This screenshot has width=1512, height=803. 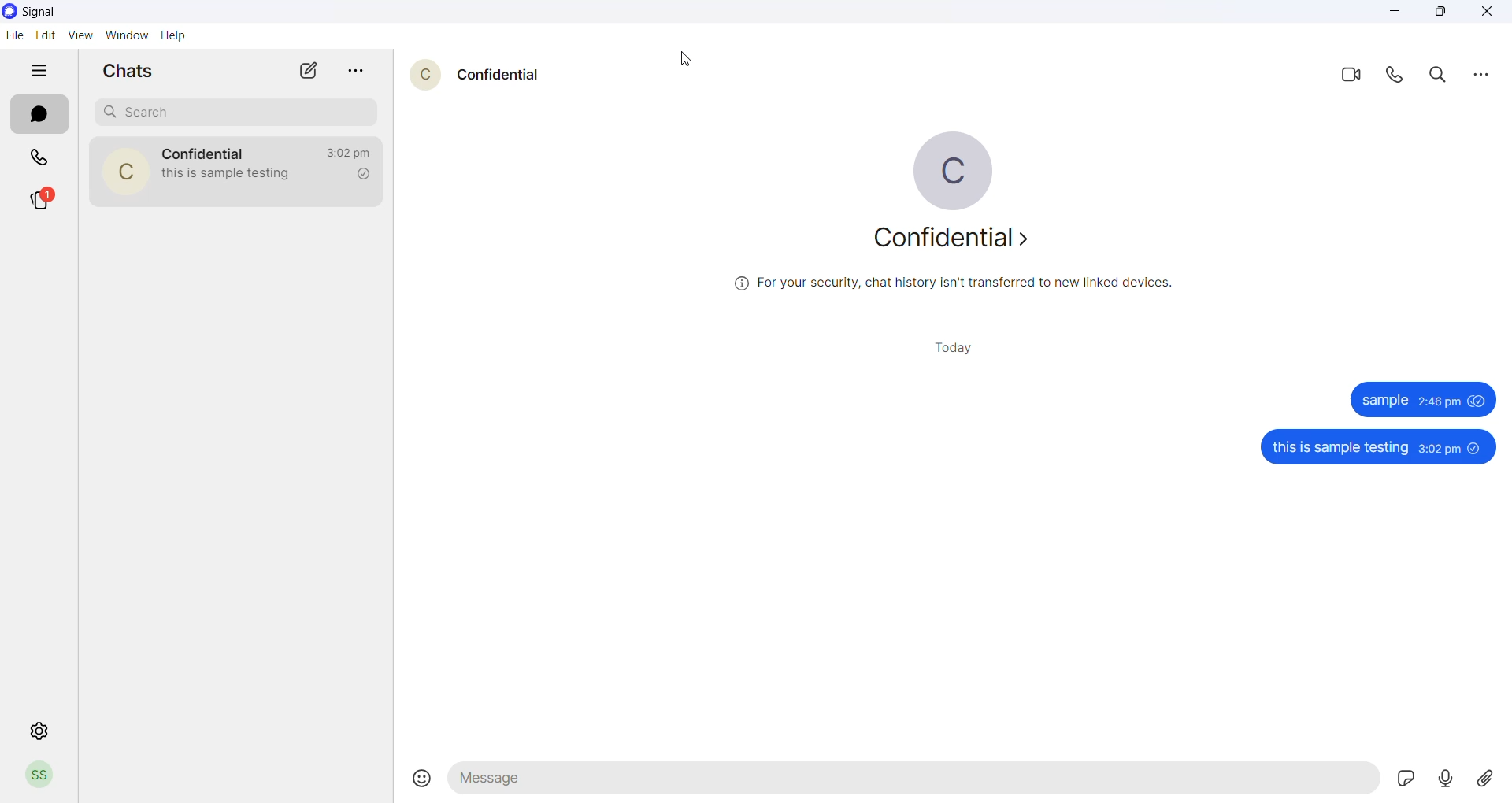 What do you see at coordinates (1423, 399) in the screenshot?
I see `messages` at bounding box center [1423, 399].